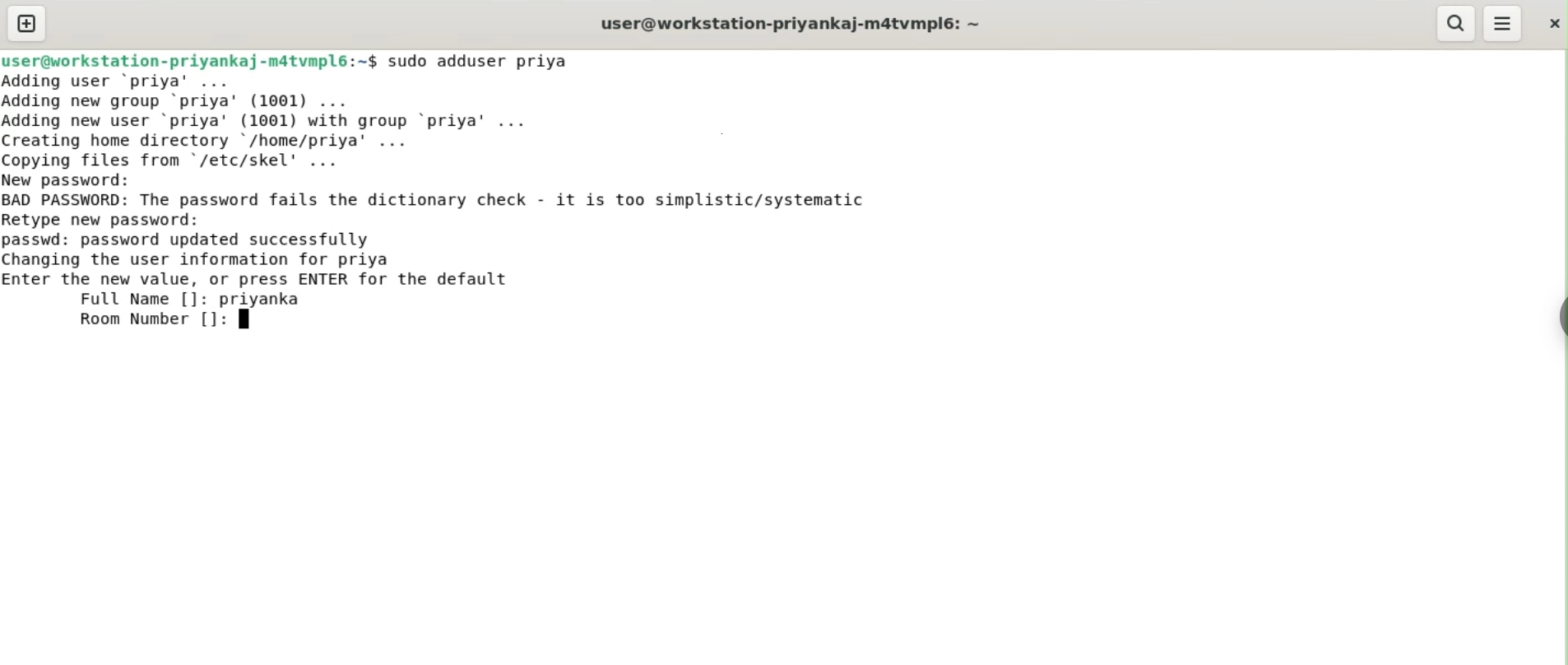 This screenshot has height=665, width=1568. What do you see at coordinates (27, 23) in the screenshot?
I see `new tab` at bounding box center [27, 23].